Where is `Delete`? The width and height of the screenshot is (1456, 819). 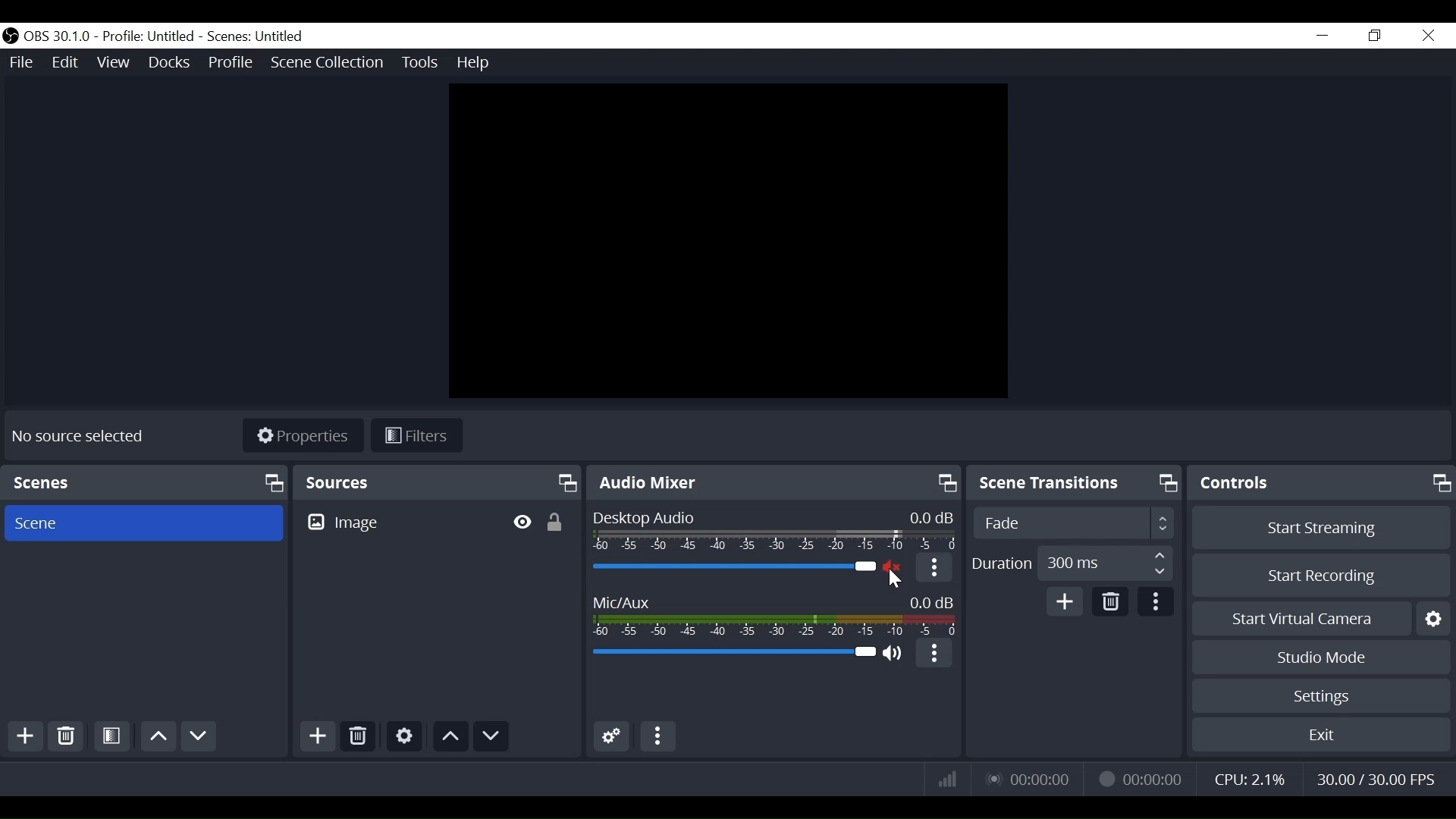
Delete is located at coordinates (357, 736).